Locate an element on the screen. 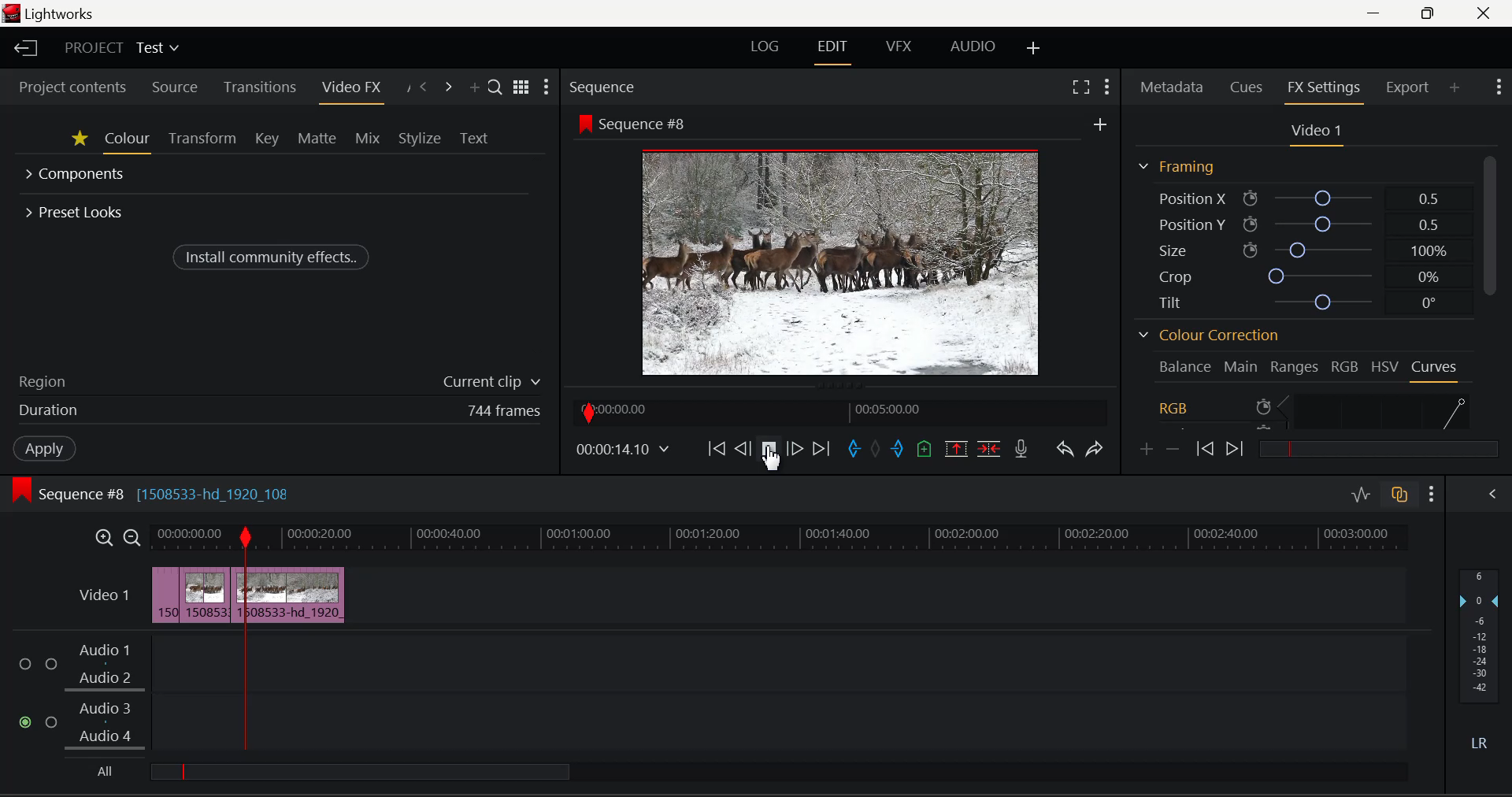  Tilt is located at coordinates (1298, 301).